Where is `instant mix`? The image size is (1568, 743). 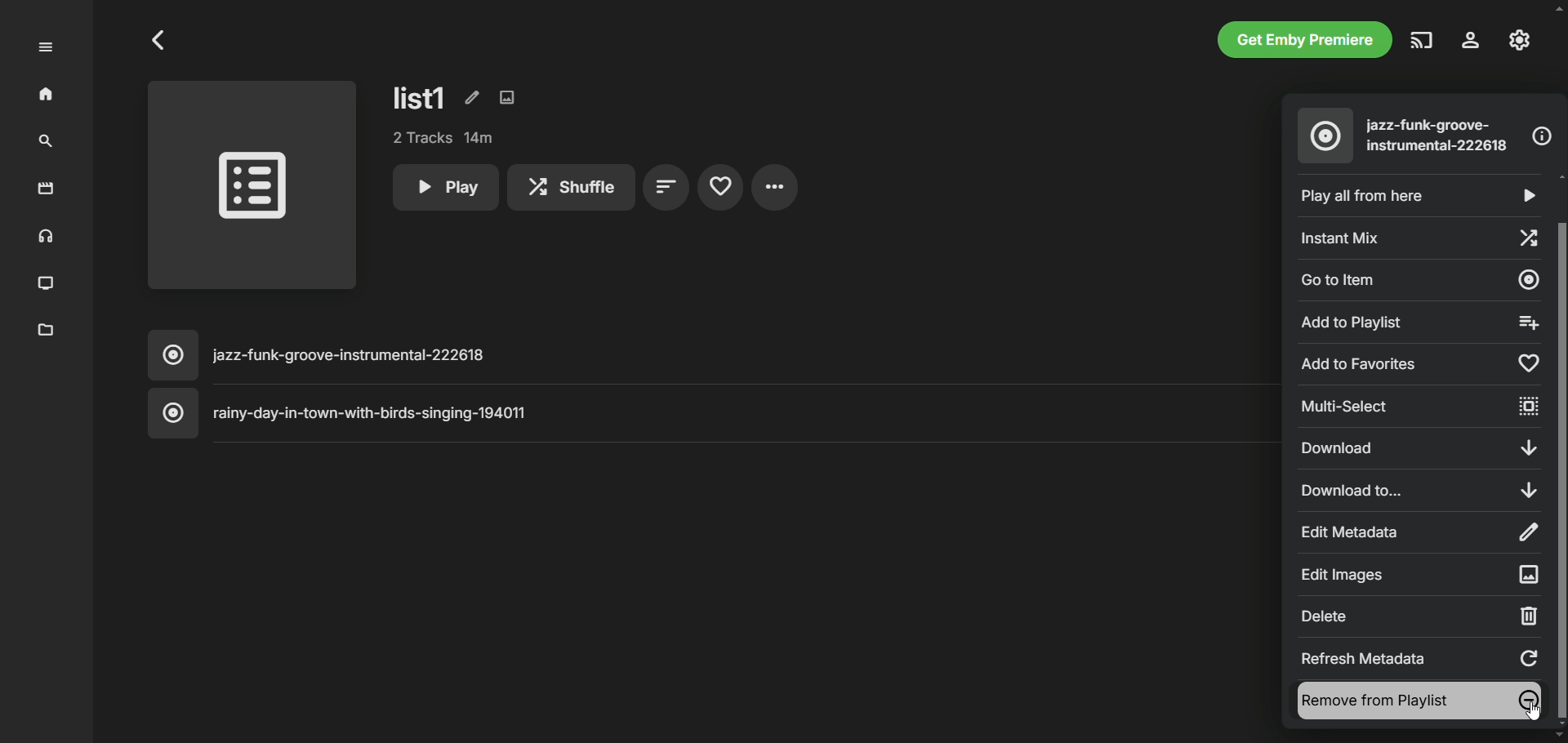
instant mix is located at coordinates (1417, 236).